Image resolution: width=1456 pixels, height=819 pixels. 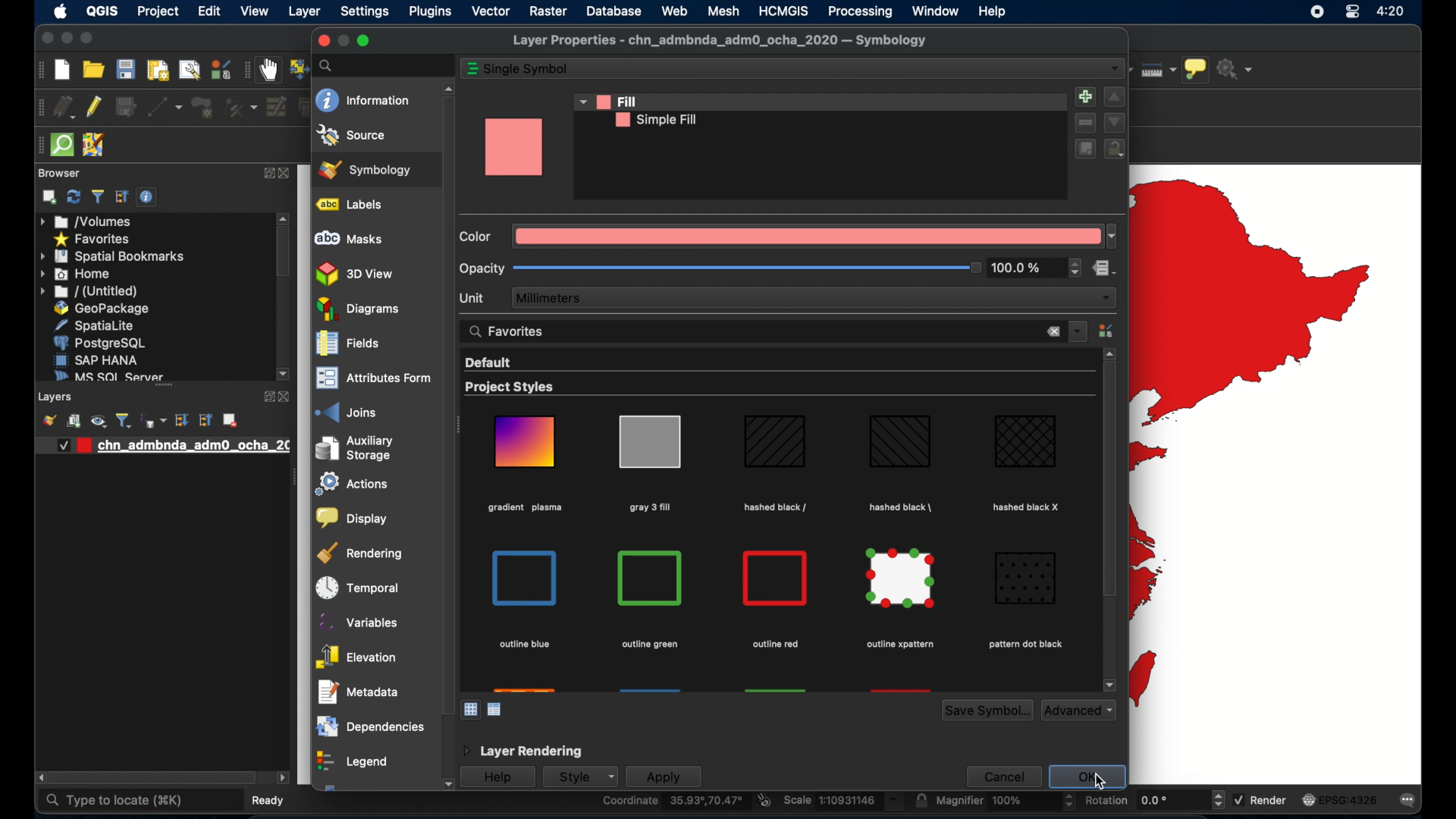 I want to click on scroll right, so click(x=38, y=778).